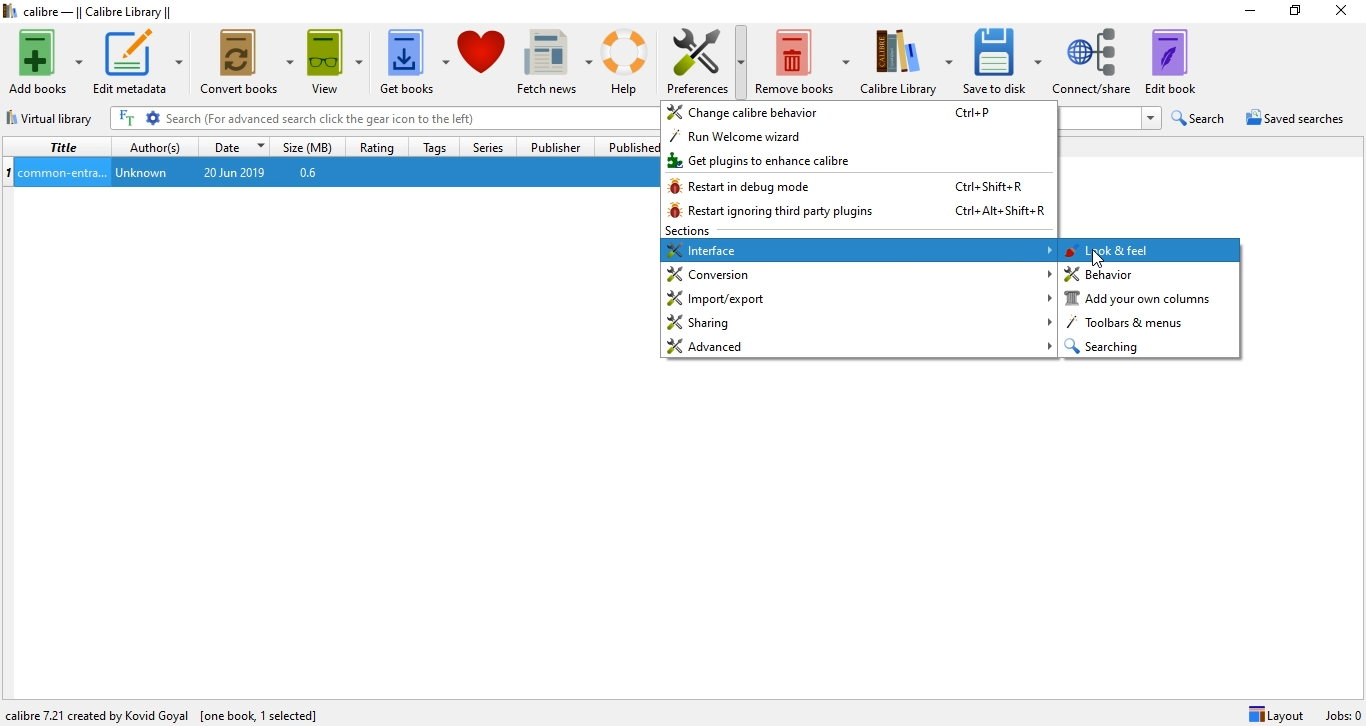 The width and height of the screenshot is (1366, 726). What do you see at coordinates (1095, 59) in the screenshot?
I see `Convert/share` at bounding box center [1095, 59].